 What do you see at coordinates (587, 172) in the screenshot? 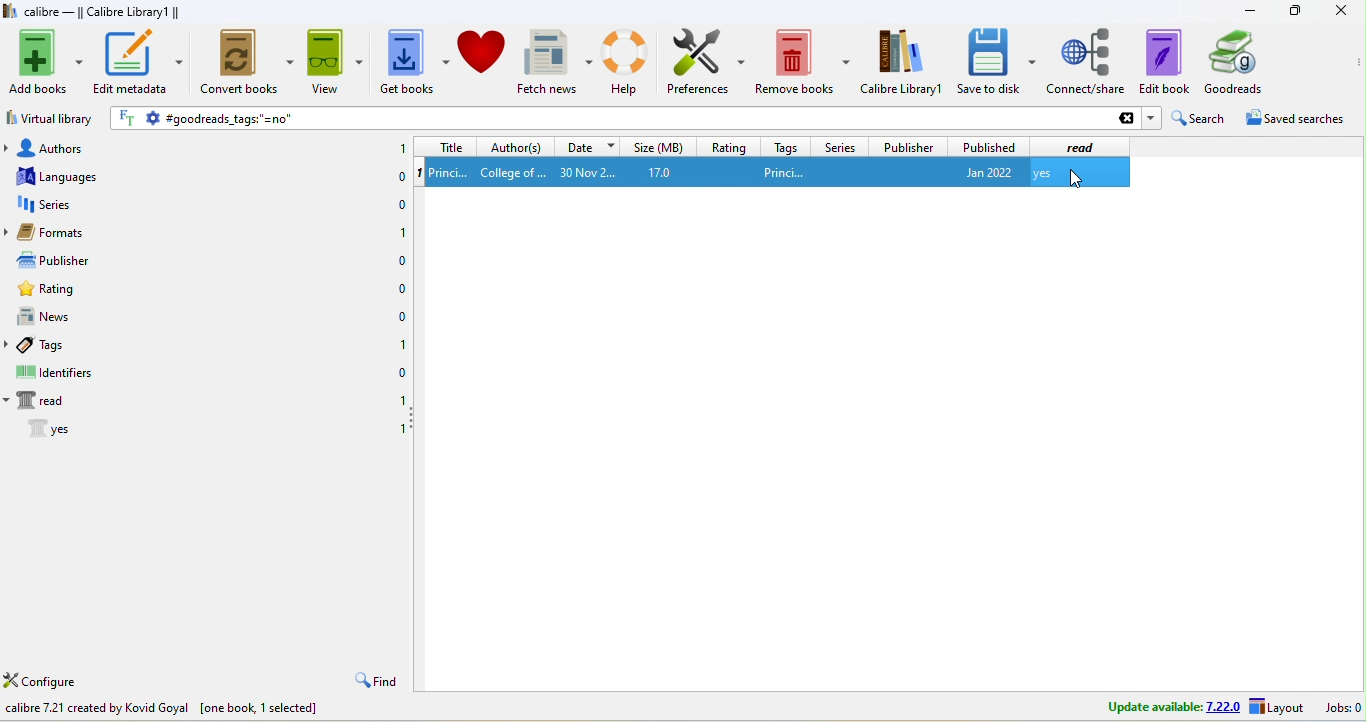
I see `30 nov 2` at bounding box center [587, 172].